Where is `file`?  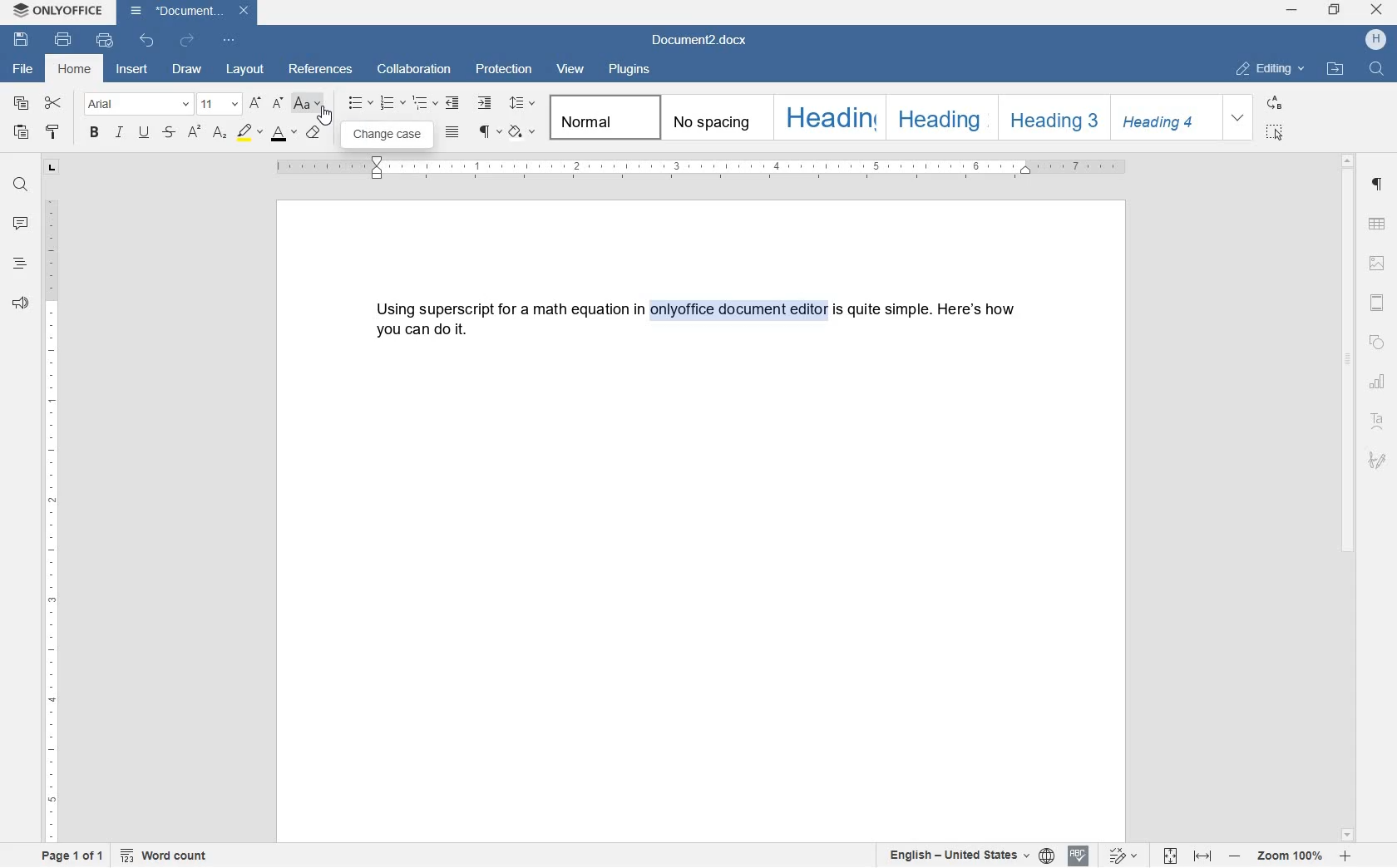 file is located at coordinates (21, 70).